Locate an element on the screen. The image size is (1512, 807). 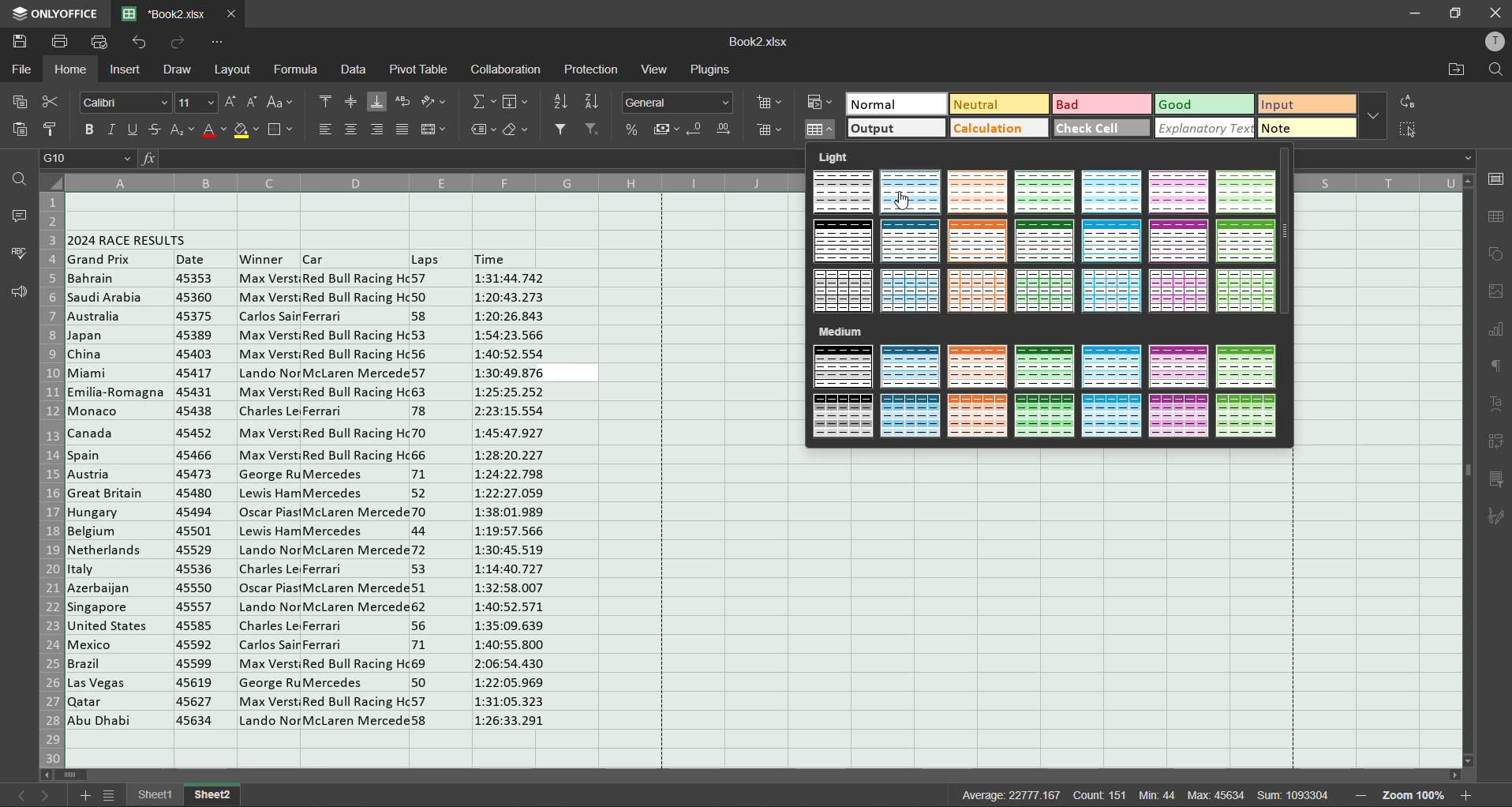
vertical scroll bar is located at coordinates (1286, 233).